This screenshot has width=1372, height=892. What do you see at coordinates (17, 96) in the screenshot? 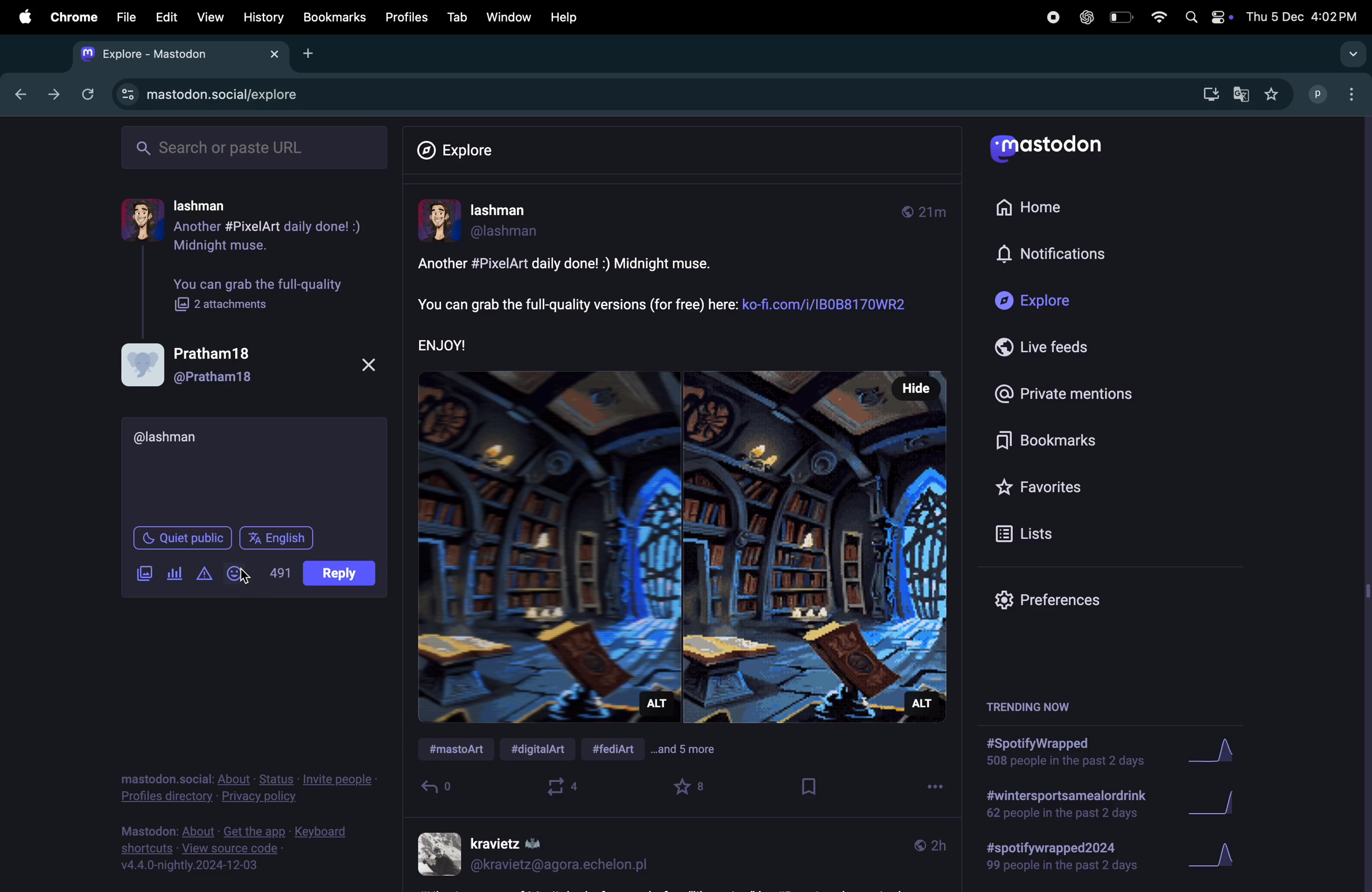
I see `previous tab` at bounding box center [17, 96].